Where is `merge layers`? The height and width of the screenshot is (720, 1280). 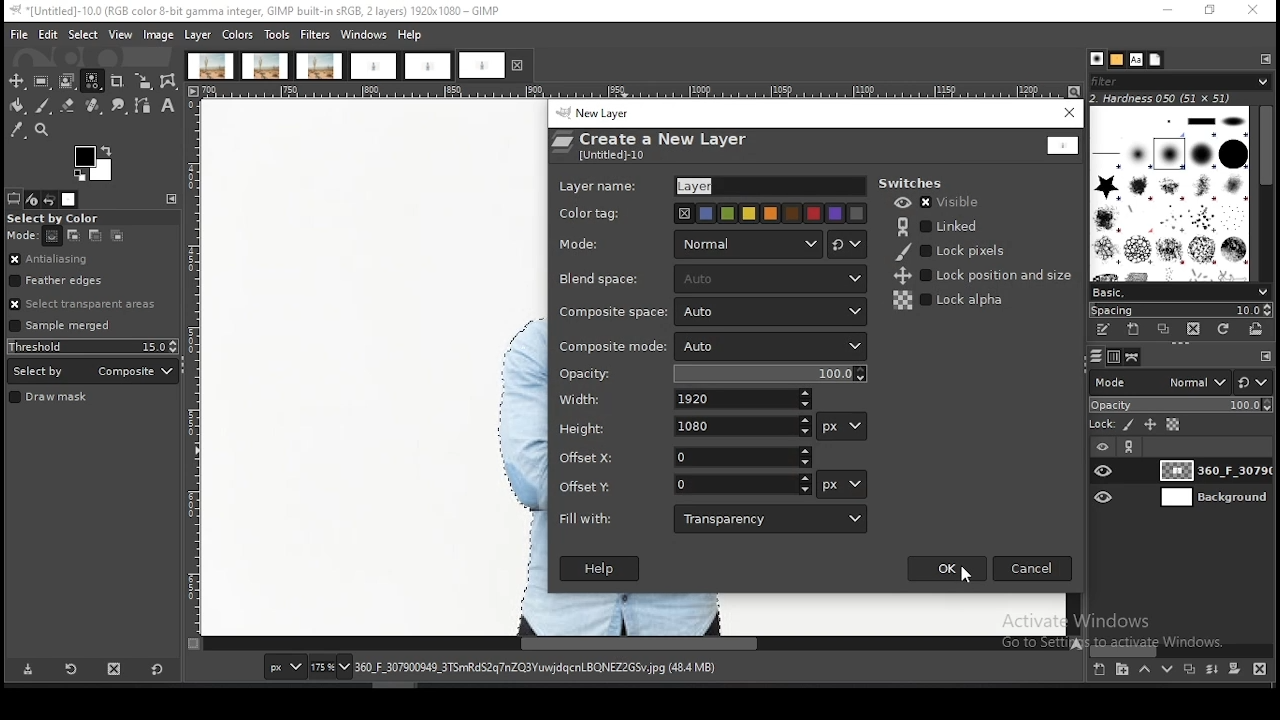
merge layers is located at coordinates (1212, 668).